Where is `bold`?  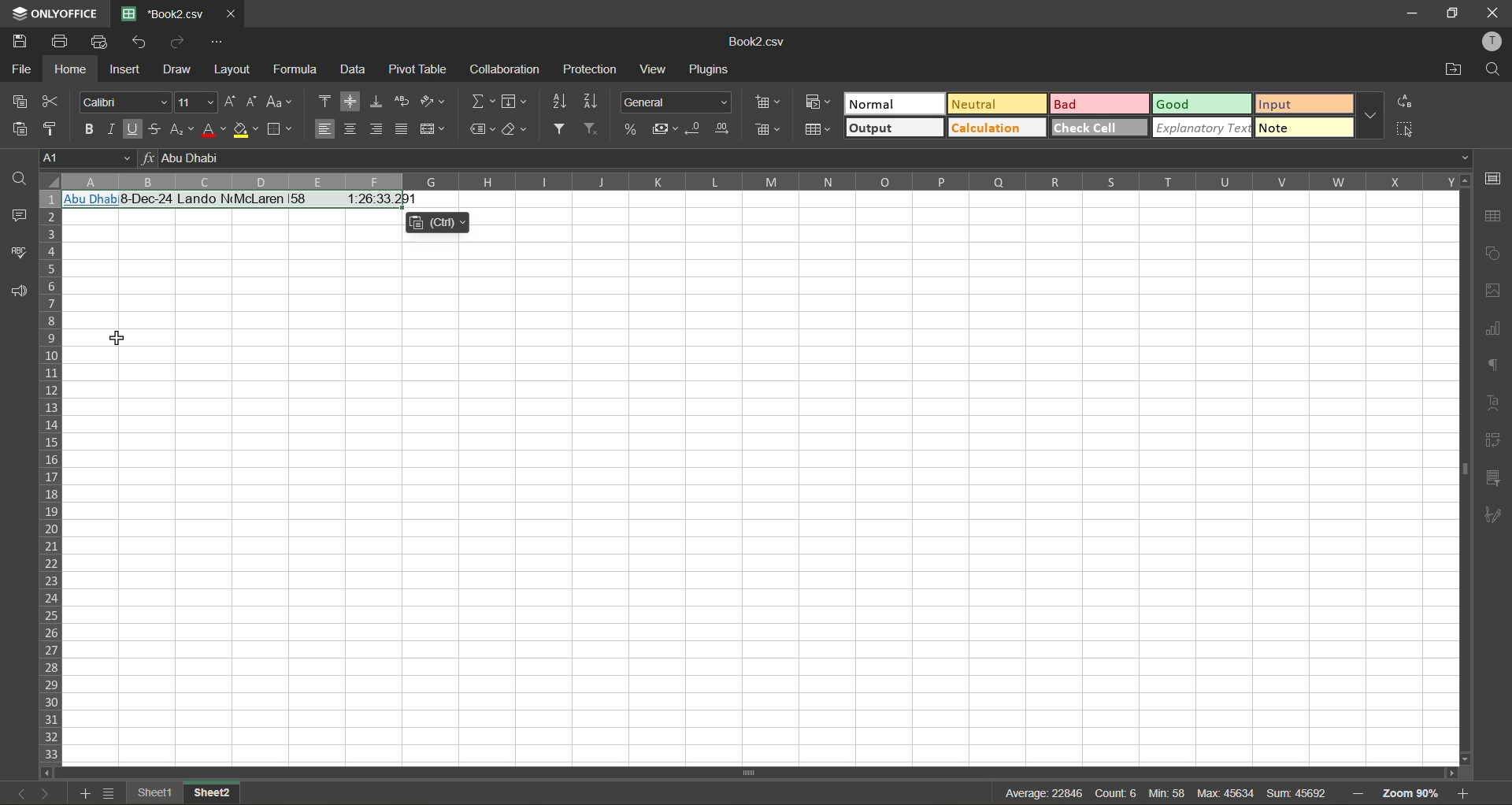
bold is located at coordinates (84, 127).